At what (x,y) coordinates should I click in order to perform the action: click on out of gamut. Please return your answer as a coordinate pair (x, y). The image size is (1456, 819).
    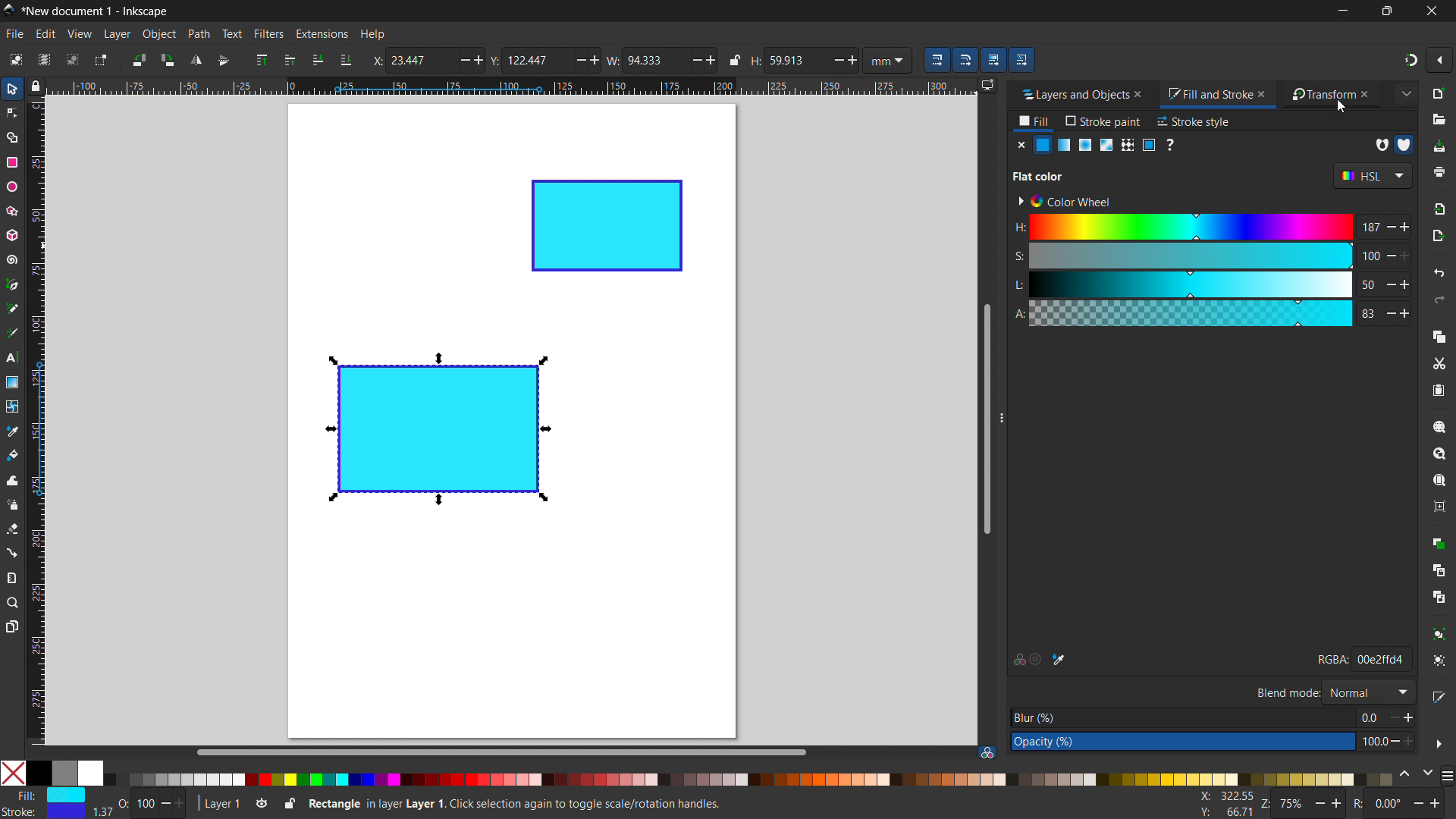
    Looking at the image, I should click on (1036, 661).